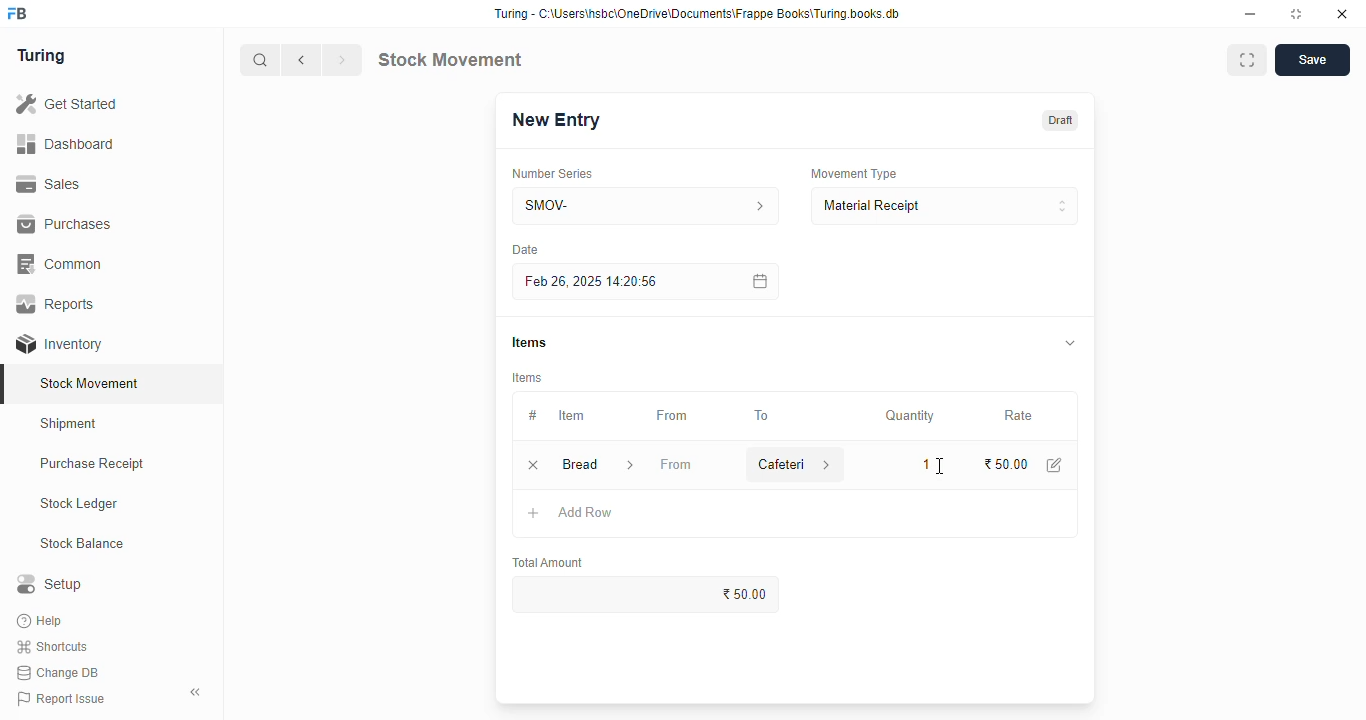 The height and width of the screenshot is (720, 1366). What do you see at coordinates (529, 342) in the screenshot?
I see `items` at bounding box center [529, 342].